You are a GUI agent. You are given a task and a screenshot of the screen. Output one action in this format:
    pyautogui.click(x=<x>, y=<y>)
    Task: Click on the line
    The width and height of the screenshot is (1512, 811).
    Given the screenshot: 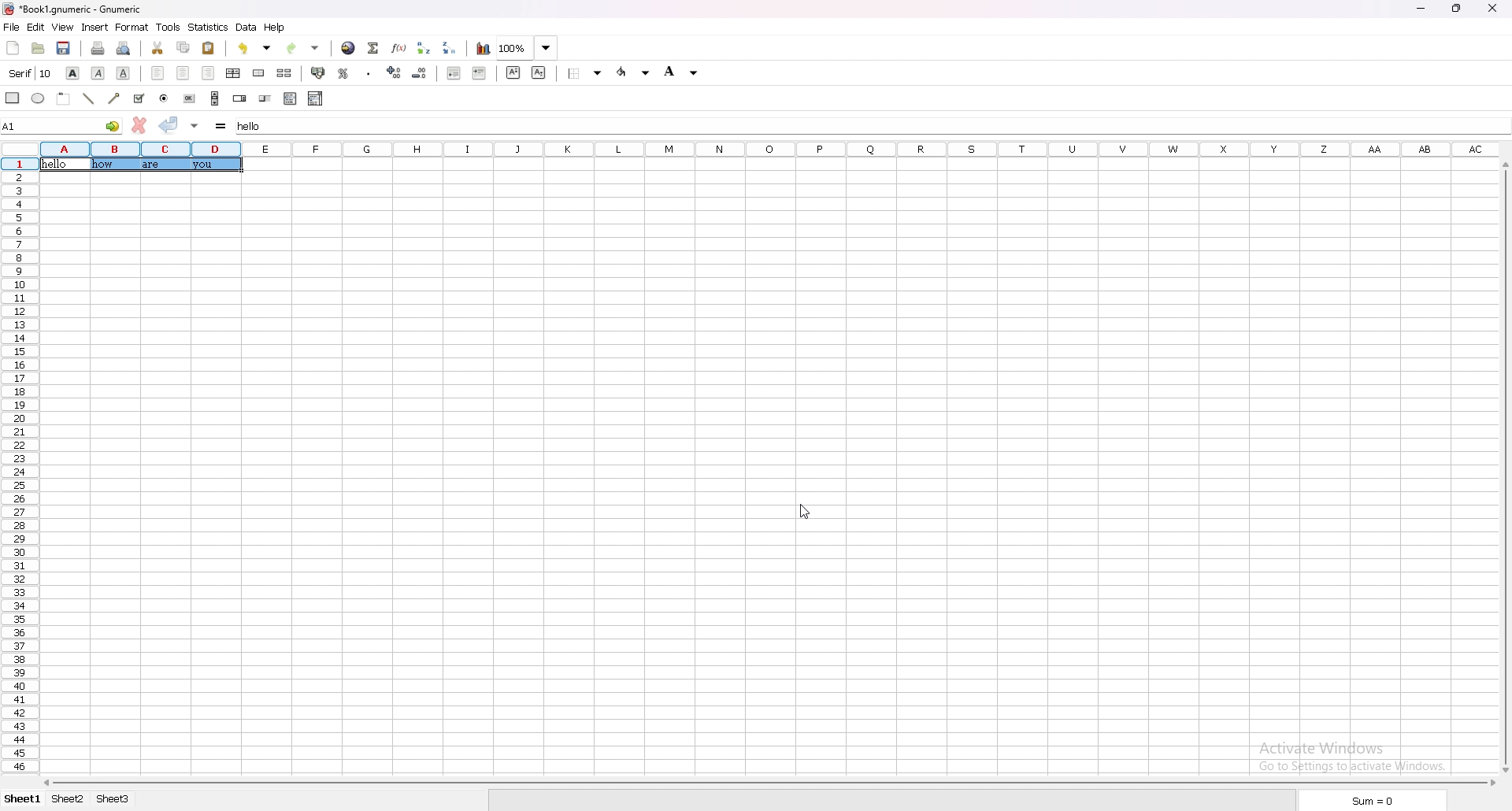 What is the action you would take?
    pyautogui.click(x=89, y=99)
    